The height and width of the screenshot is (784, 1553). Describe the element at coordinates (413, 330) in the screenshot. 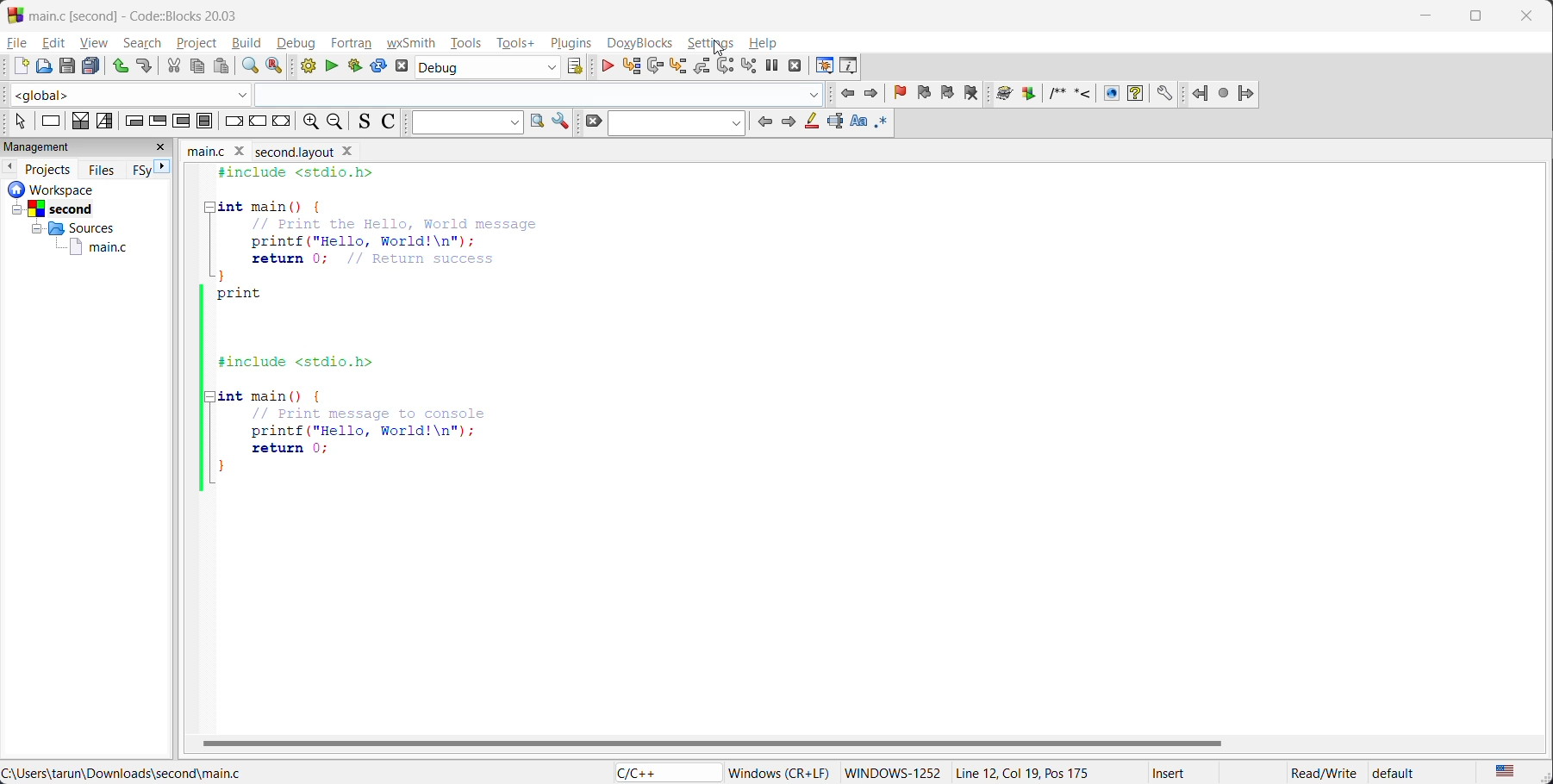

I see `code editor` at that location.